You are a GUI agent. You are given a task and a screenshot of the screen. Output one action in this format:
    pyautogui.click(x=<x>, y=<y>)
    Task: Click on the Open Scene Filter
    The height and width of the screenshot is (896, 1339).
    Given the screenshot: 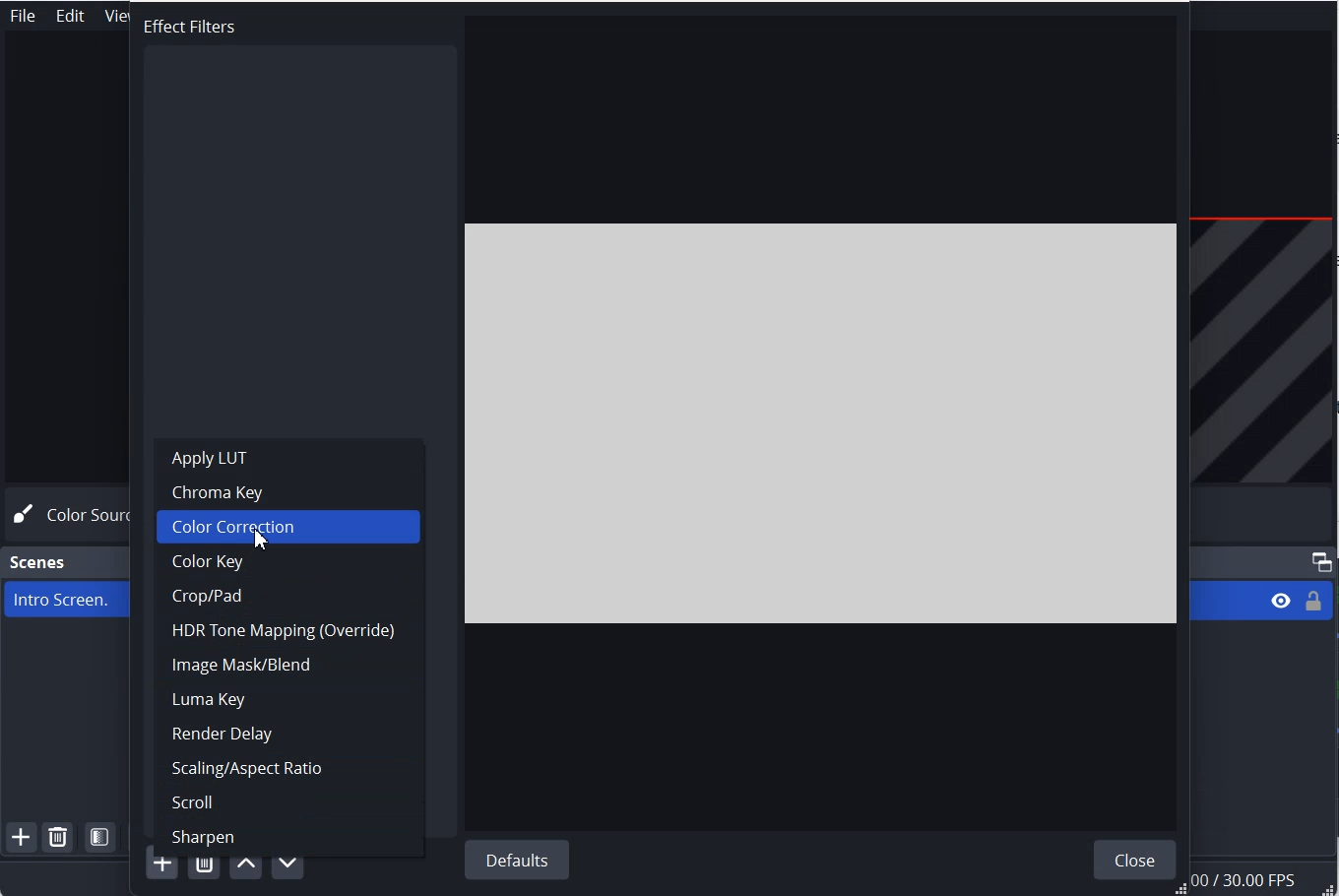 What is the action you would take?
    pyautogui.click(x=101, y=837)
    